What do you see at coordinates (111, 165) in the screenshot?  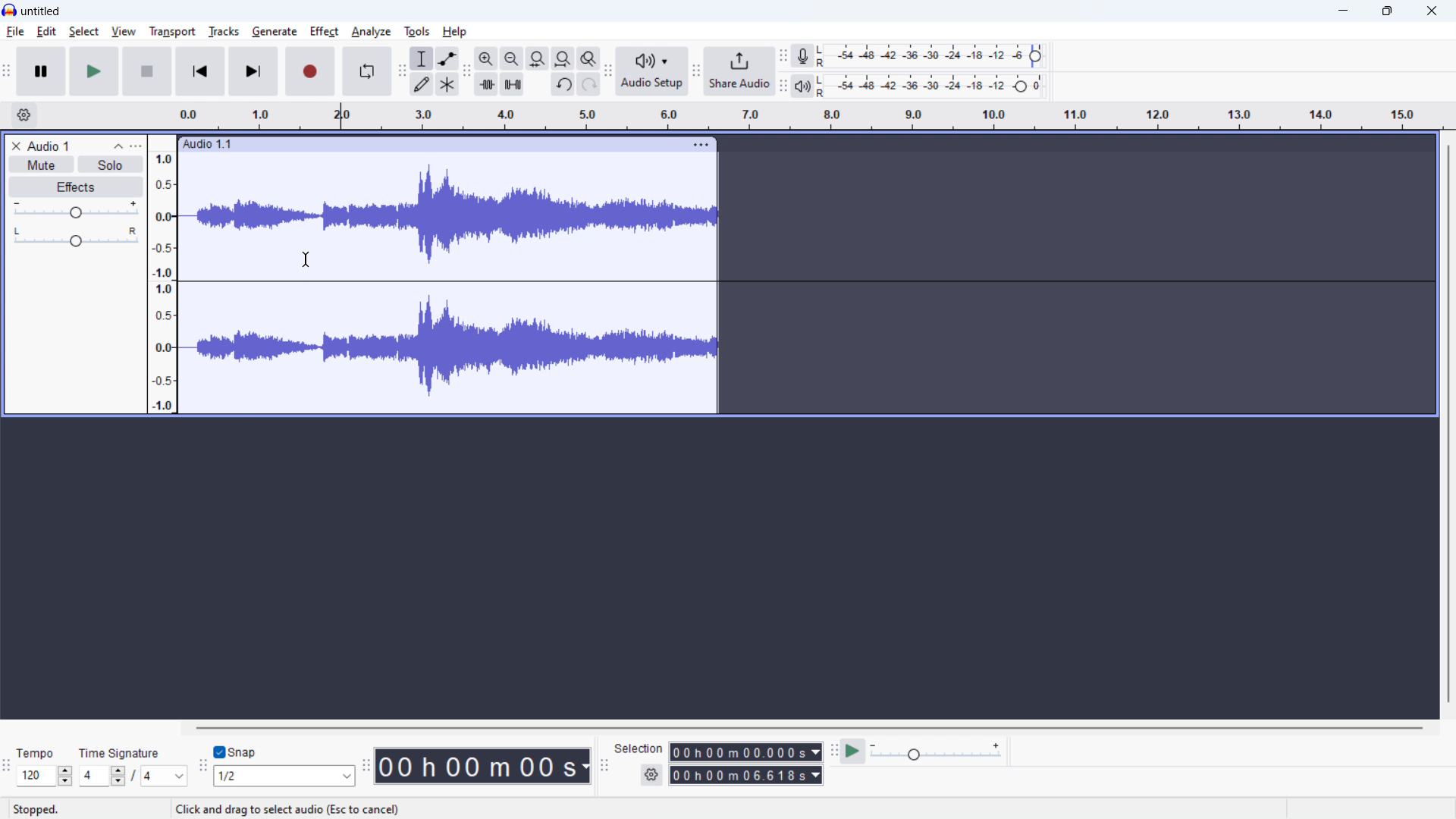 I see `solo` at bounding box center [111, 165].